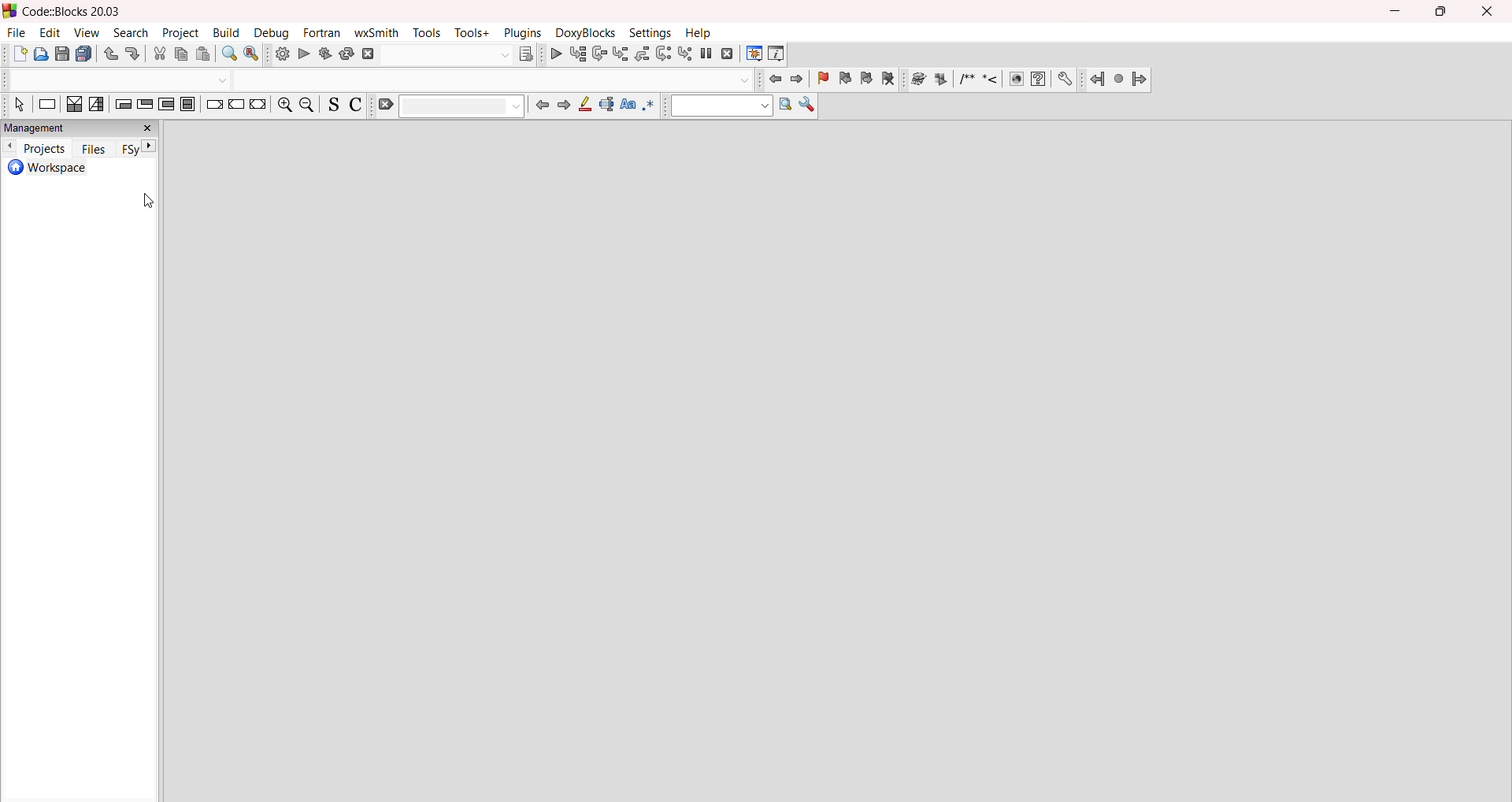 The width and height of the screenshot is (1512, 802). I want to click on exist conditional loop, so click(145, 106).